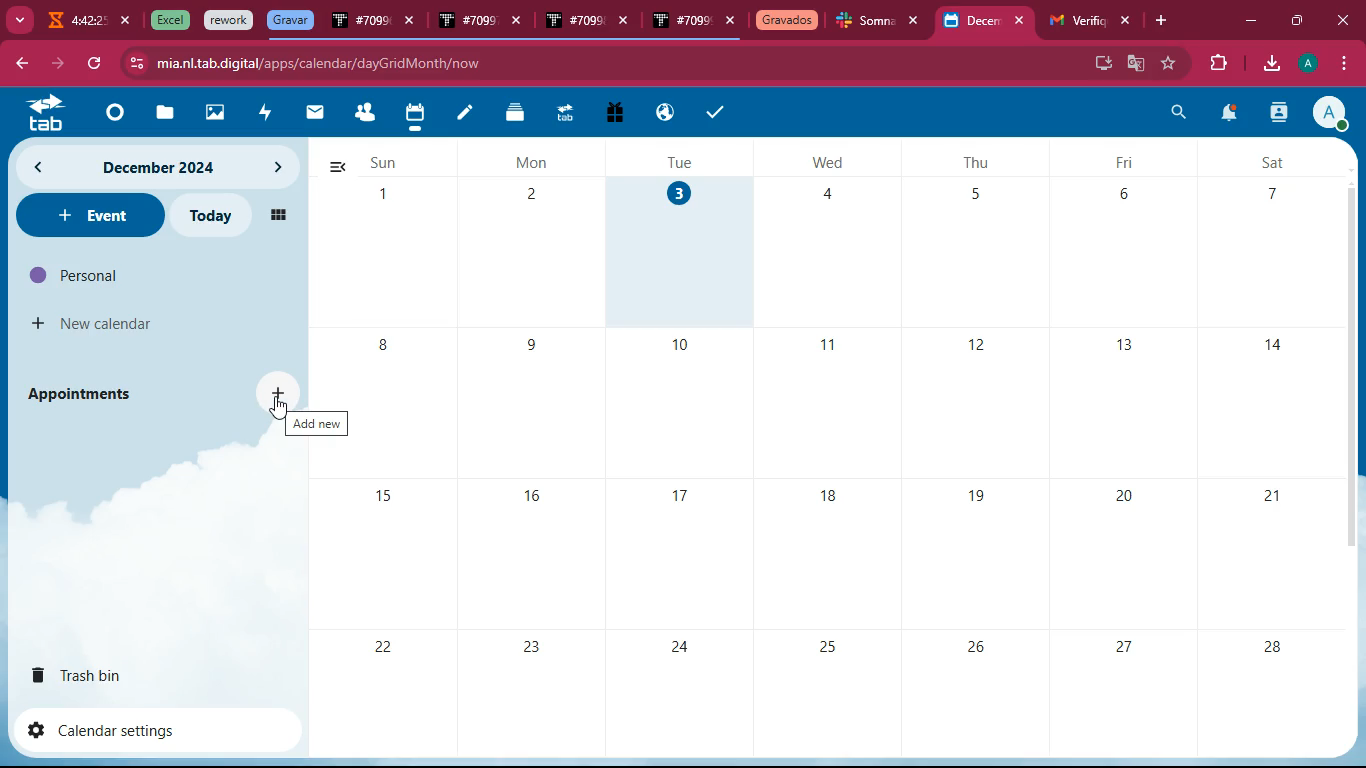 Image resolution: width=1366 pixels, height=768 pixels. Describe the element at coordinates (573, 22) in the screenshot. I see `tab` at that location.